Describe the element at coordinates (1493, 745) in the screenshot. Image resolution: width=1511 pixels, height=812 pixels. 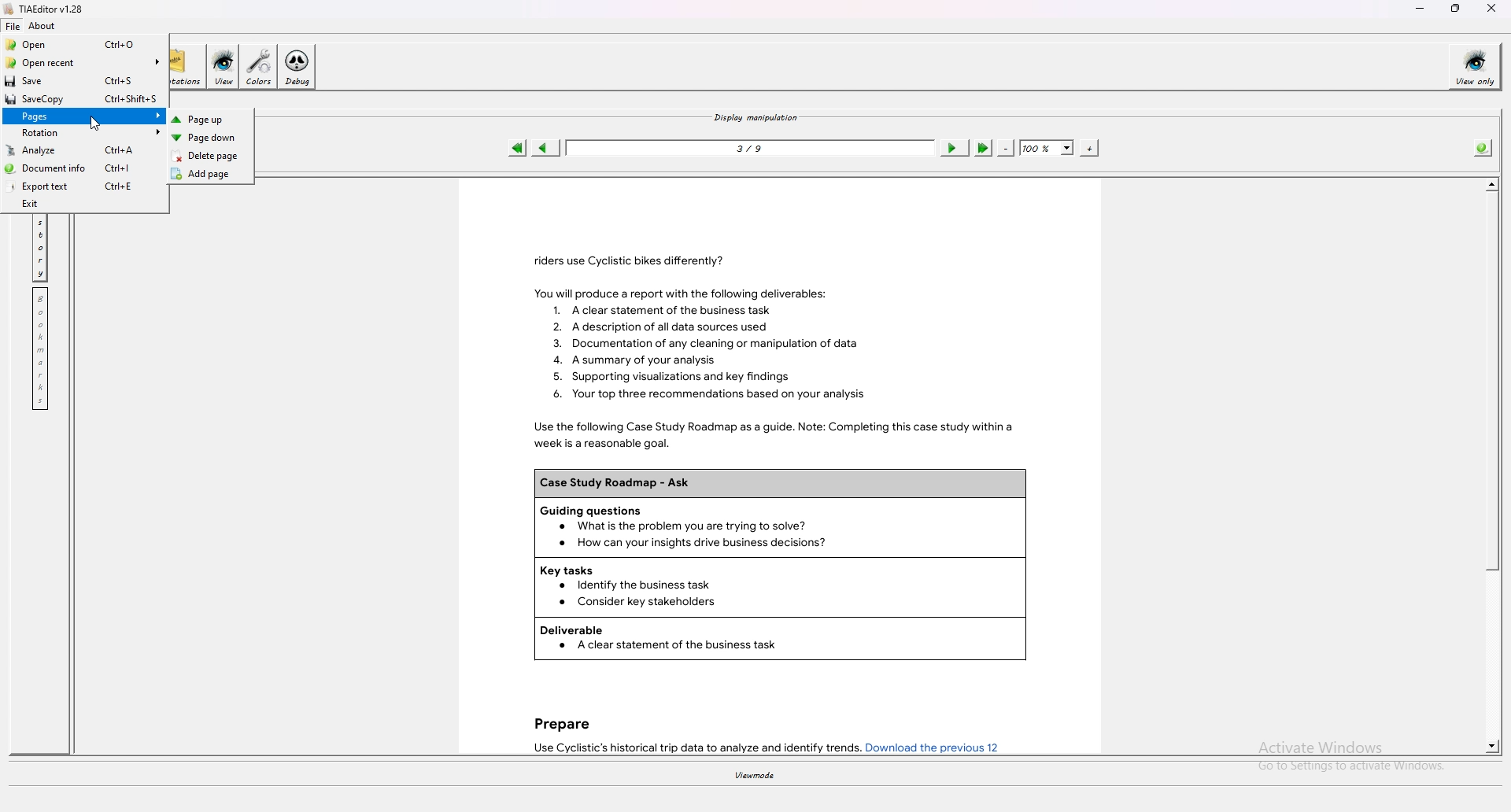
I see `scroll down` at that location.